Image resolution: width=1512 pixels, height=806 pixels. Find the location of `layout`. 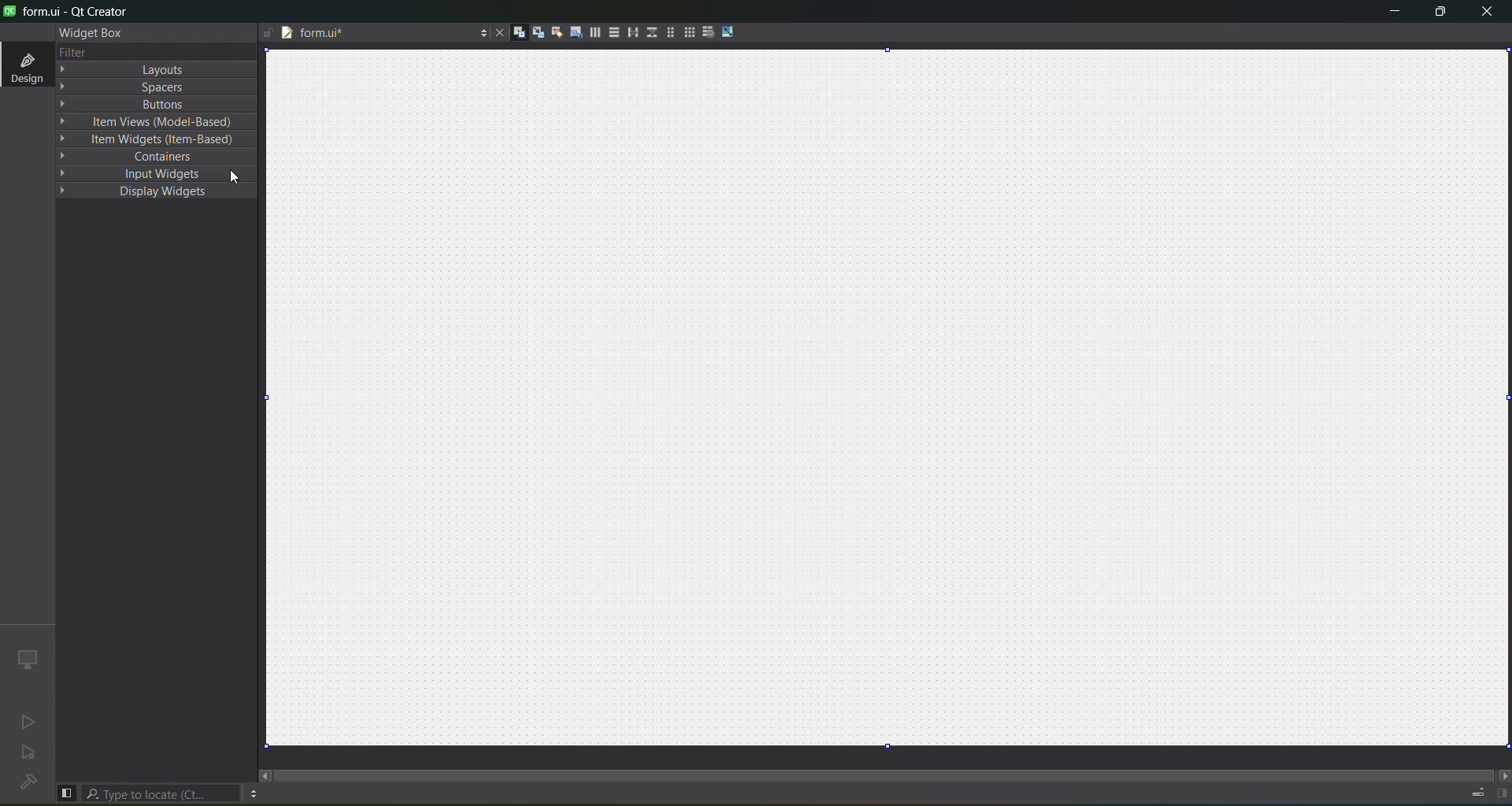

layout is located at coordinates (132, 69).